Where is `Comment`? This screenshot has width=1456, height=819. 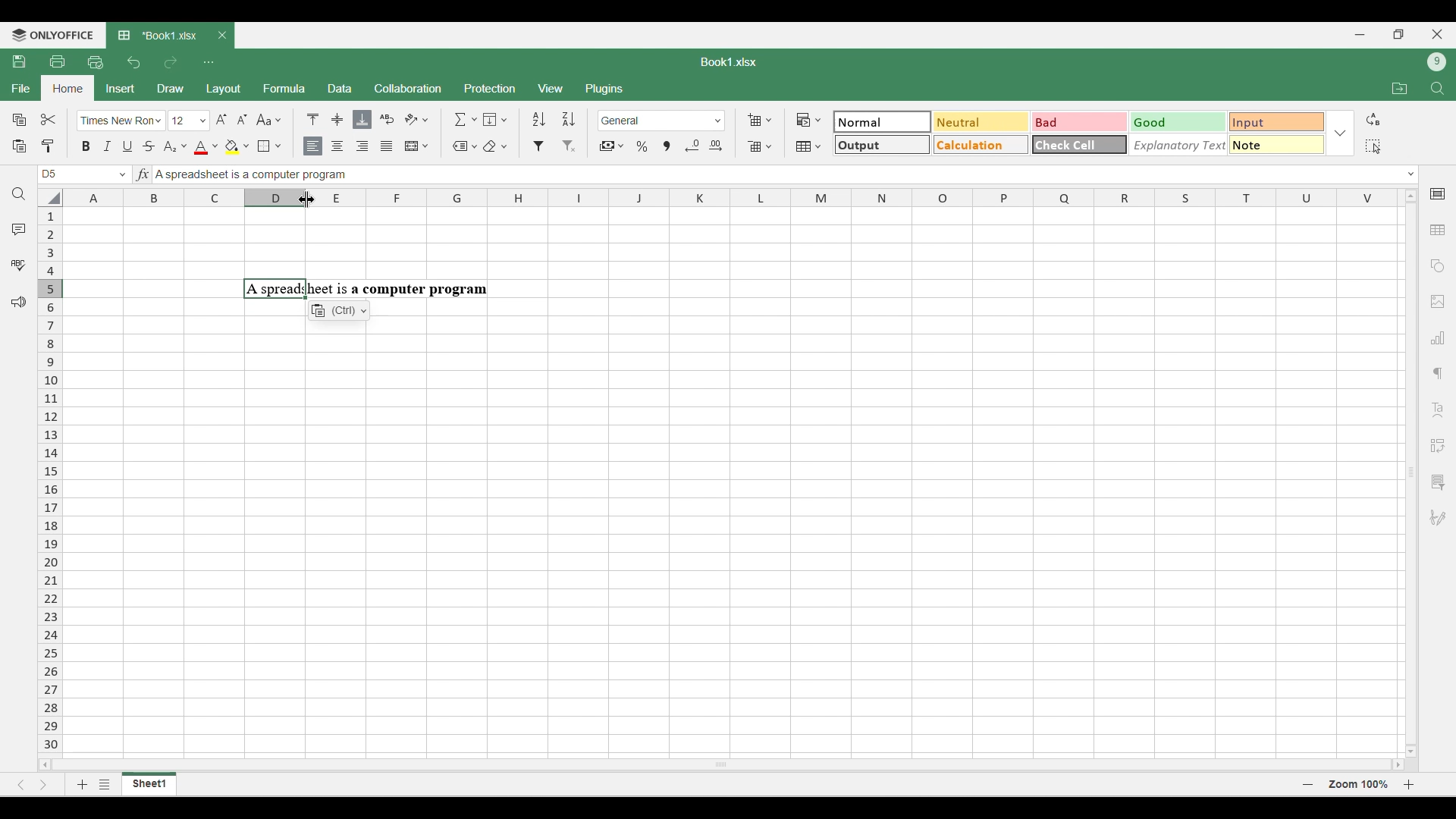
Comment is located at coordinates (19, 229).